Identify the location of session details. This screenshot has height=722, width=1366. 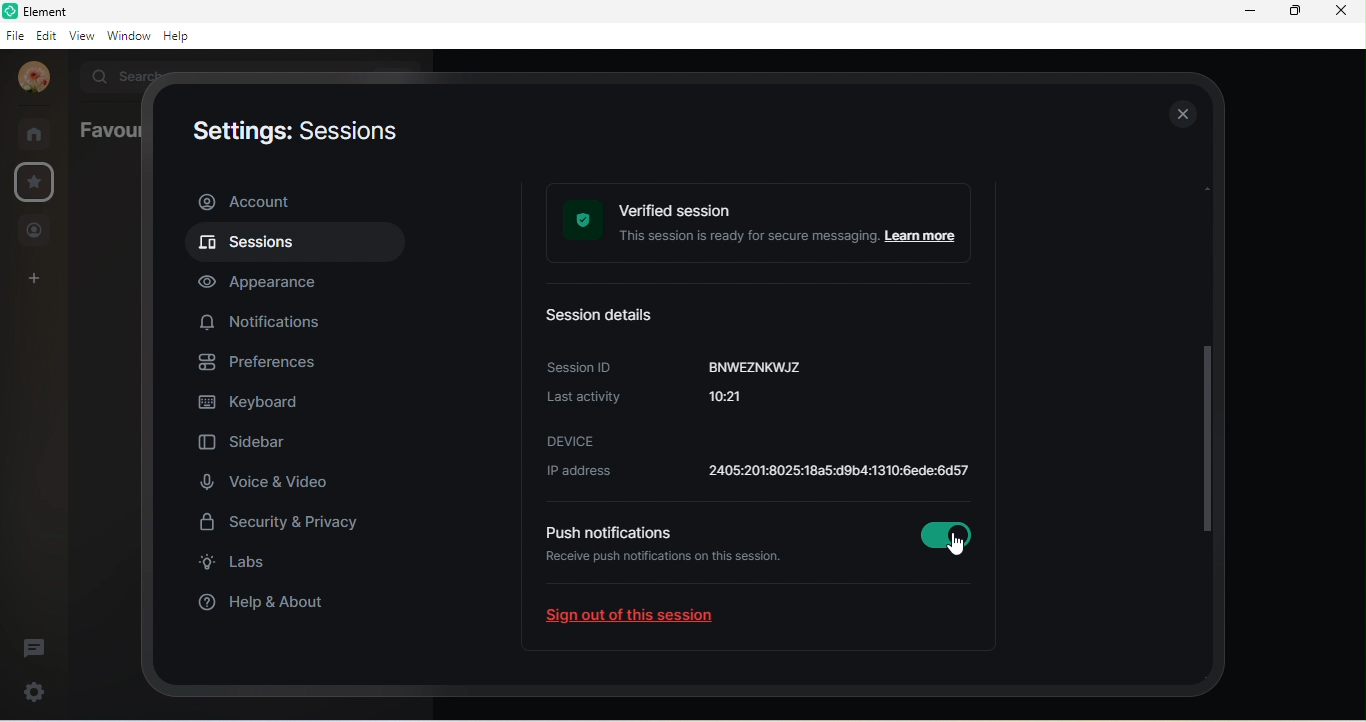
(610, 317).